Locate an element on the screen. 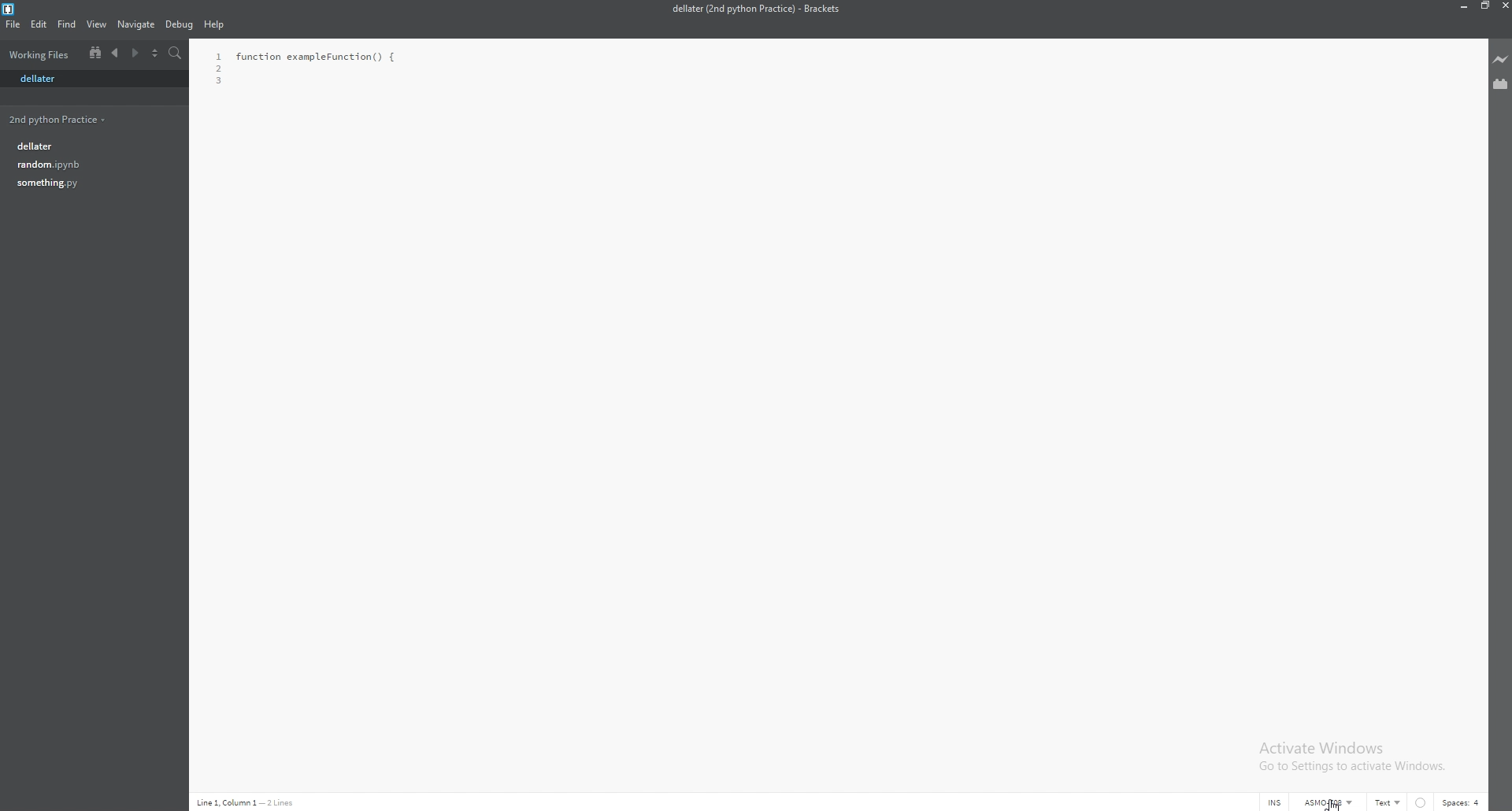  previous is located at coordinates (113, 54).